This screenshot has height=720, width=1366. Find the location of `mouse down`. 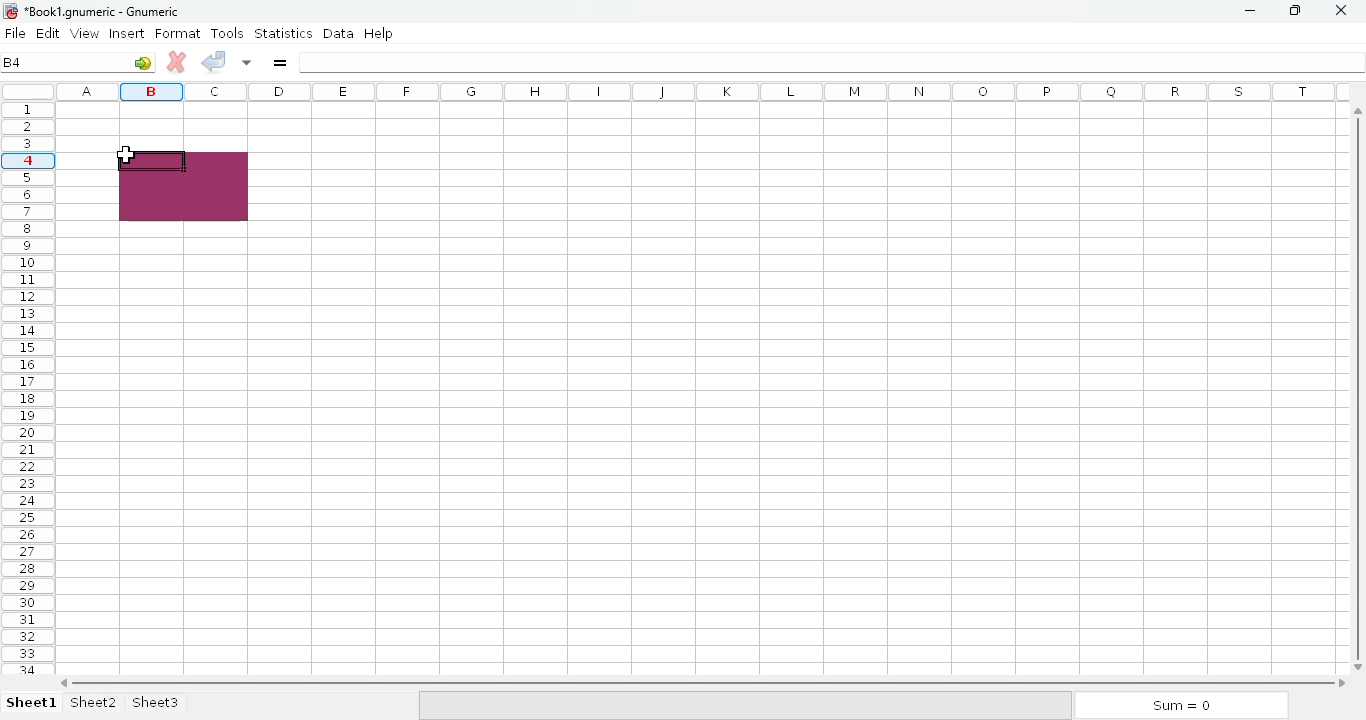

mouse down is located at coordinates (126, 155).